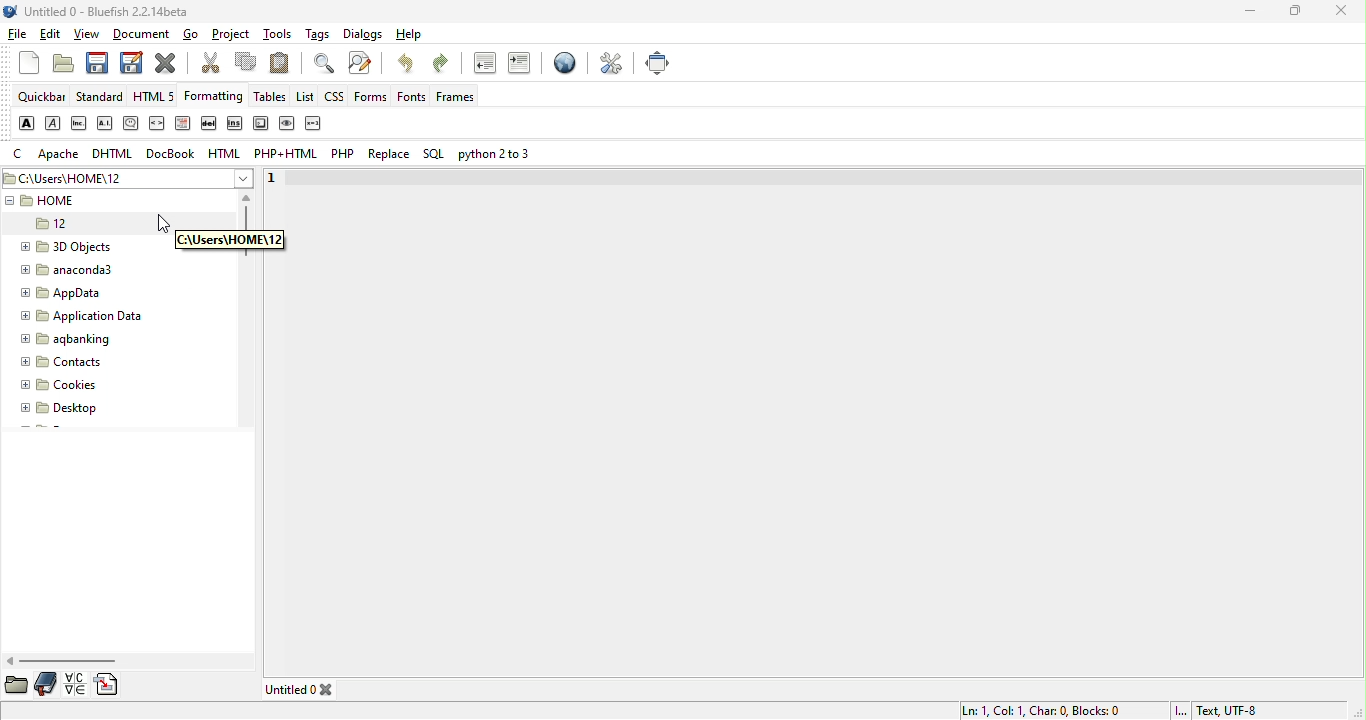 The height and width of the screenshot is (720, 1366). What do you see at coordinates (211, 125) in the screenshot?
I see `delete` at bounding box center [211, 125].